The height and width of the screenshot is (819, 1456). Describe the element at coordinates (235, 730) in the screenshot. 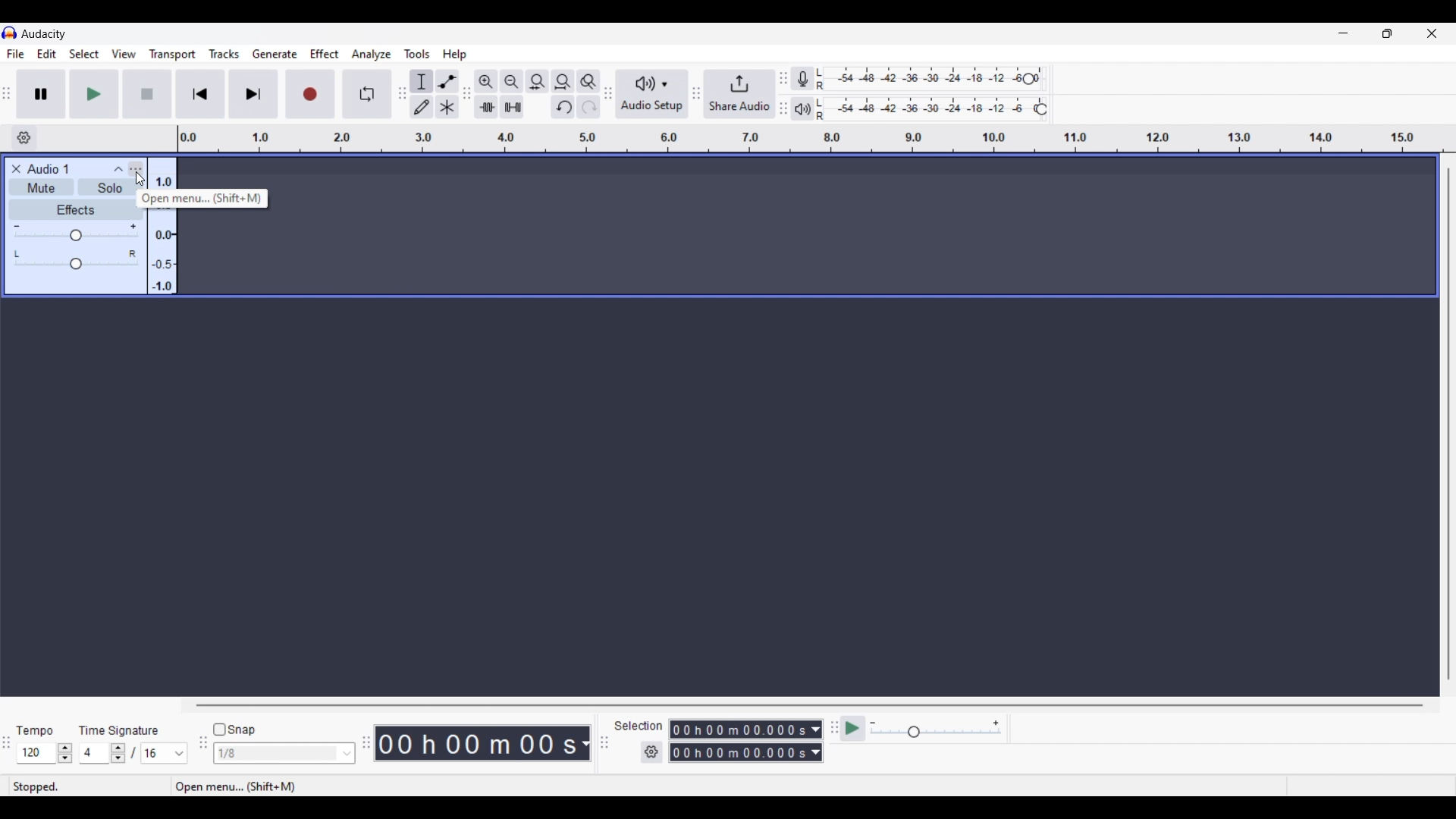

I see `Snap toggle` at that location.